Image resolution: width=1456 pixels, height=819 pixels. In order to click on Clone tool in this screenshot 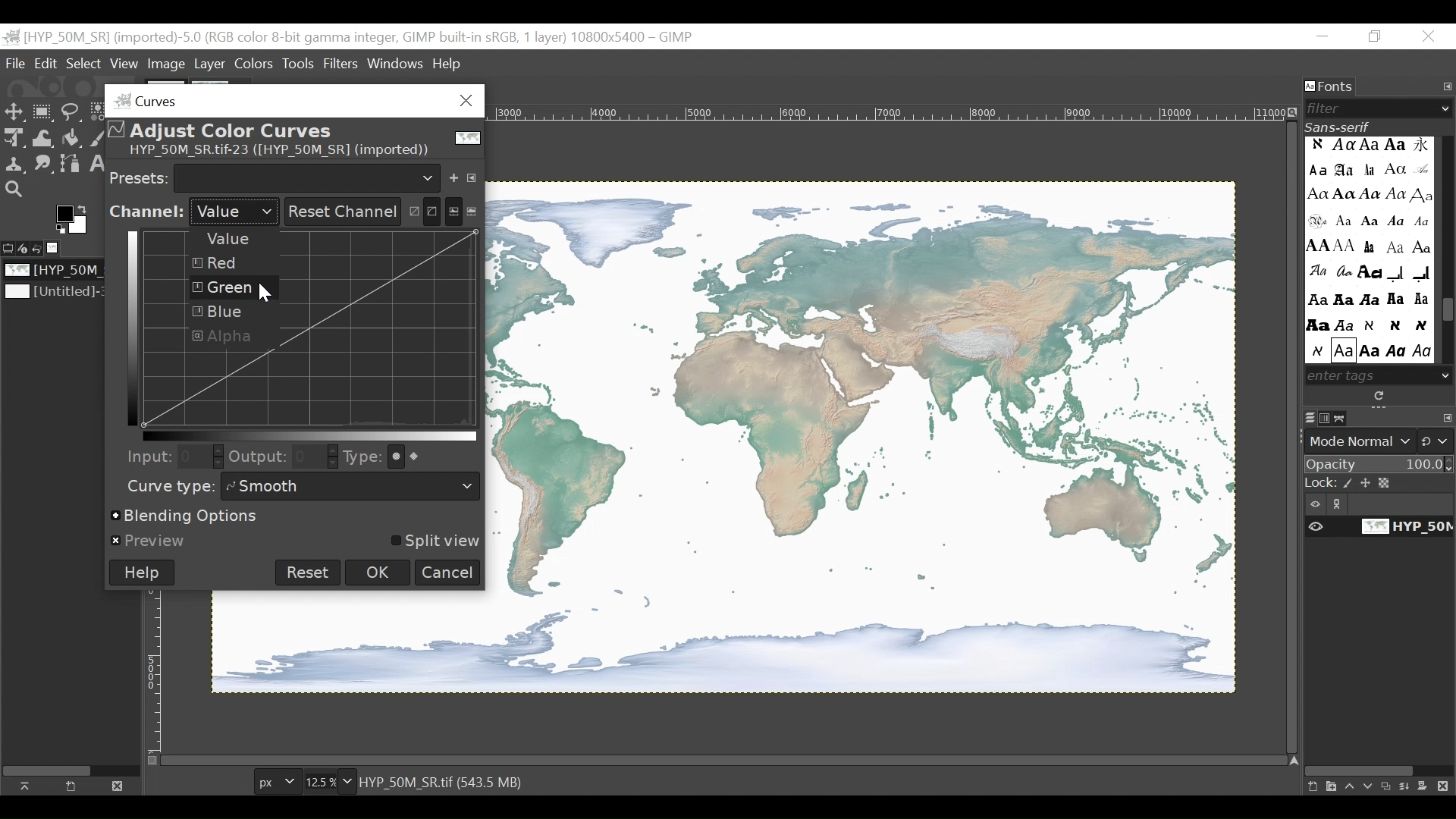, I will do `click(14, 164)`.